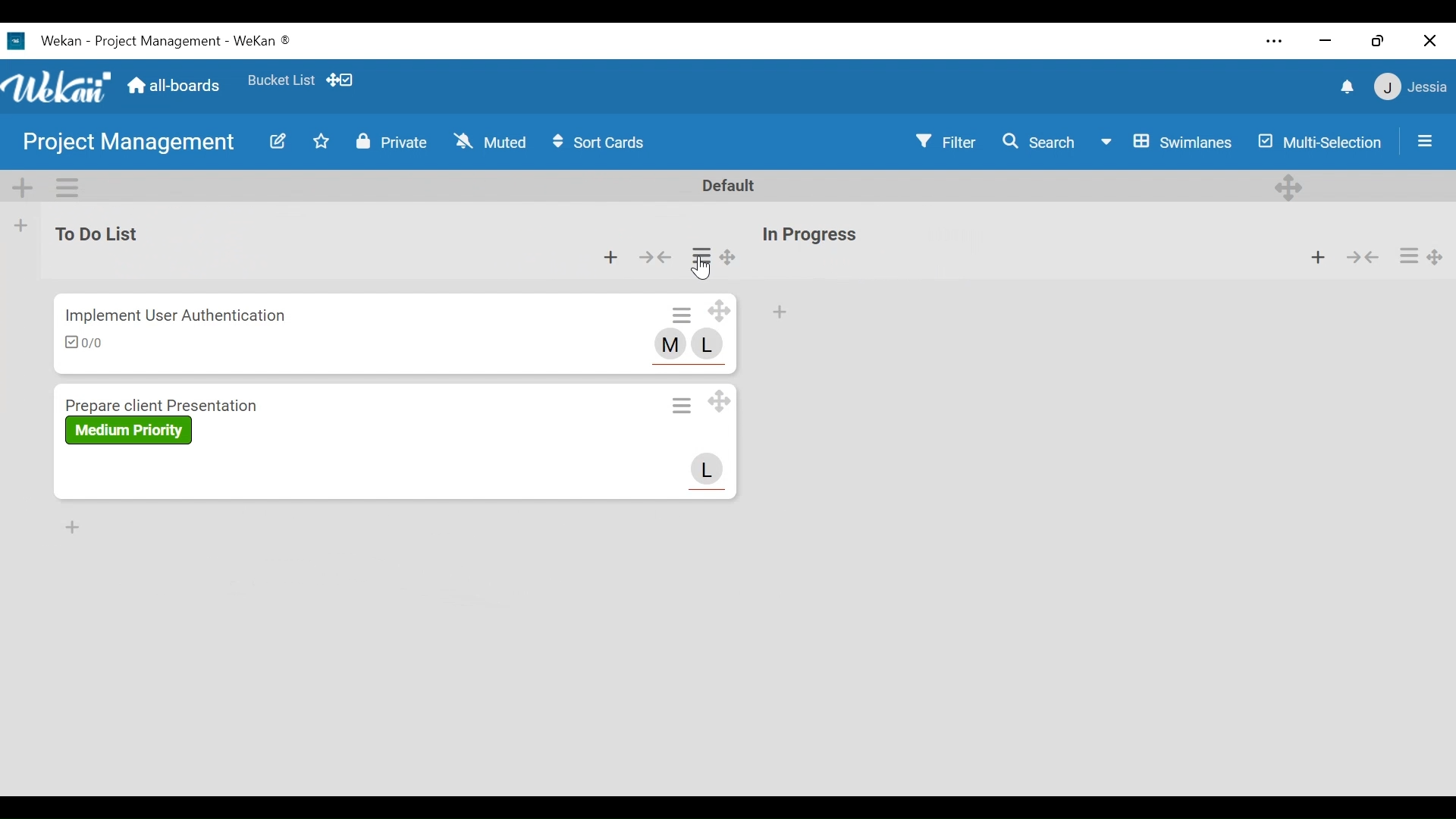  What do you see at coordinates (704, 268) in the screenshot?
I see `cursor` at bounding box center [704, 268].